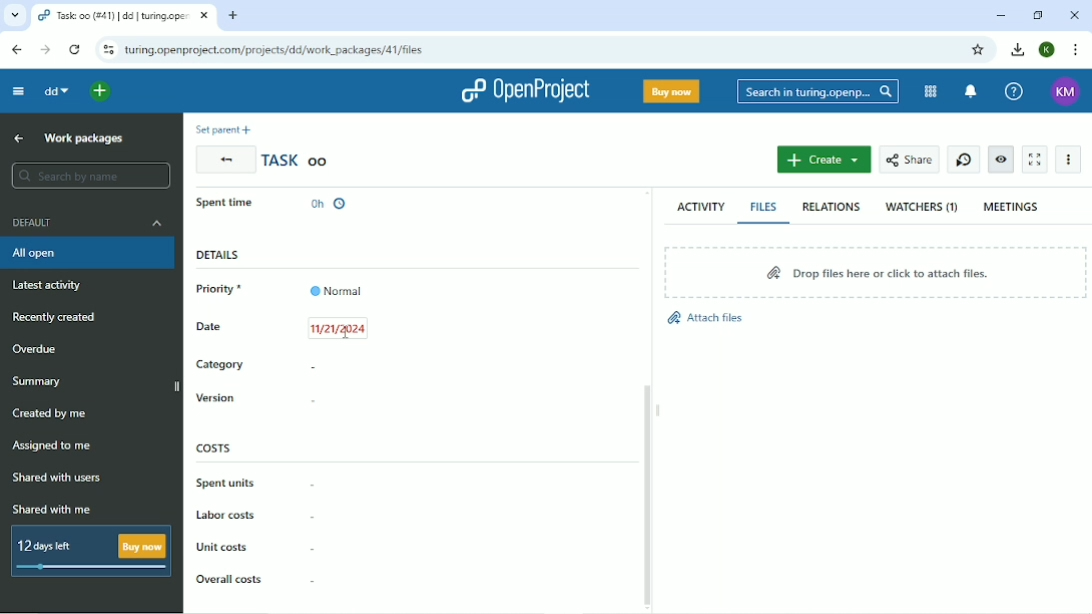 The height and width of the screenshot is (614, 1092). I want to click on Unit costs, so click(223, 546).